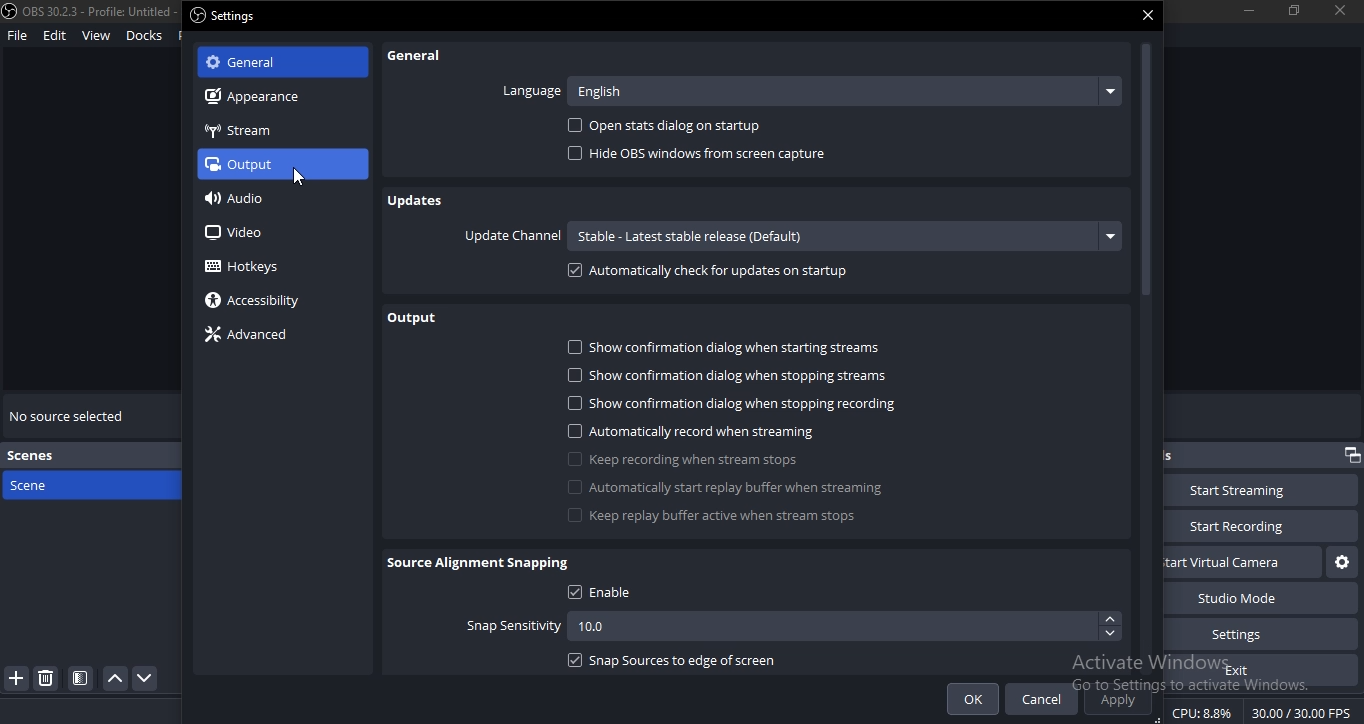 This screenshot has width=1364, height=724. I want to click on keep replay buffer active when stream stops, so click(721, 517).